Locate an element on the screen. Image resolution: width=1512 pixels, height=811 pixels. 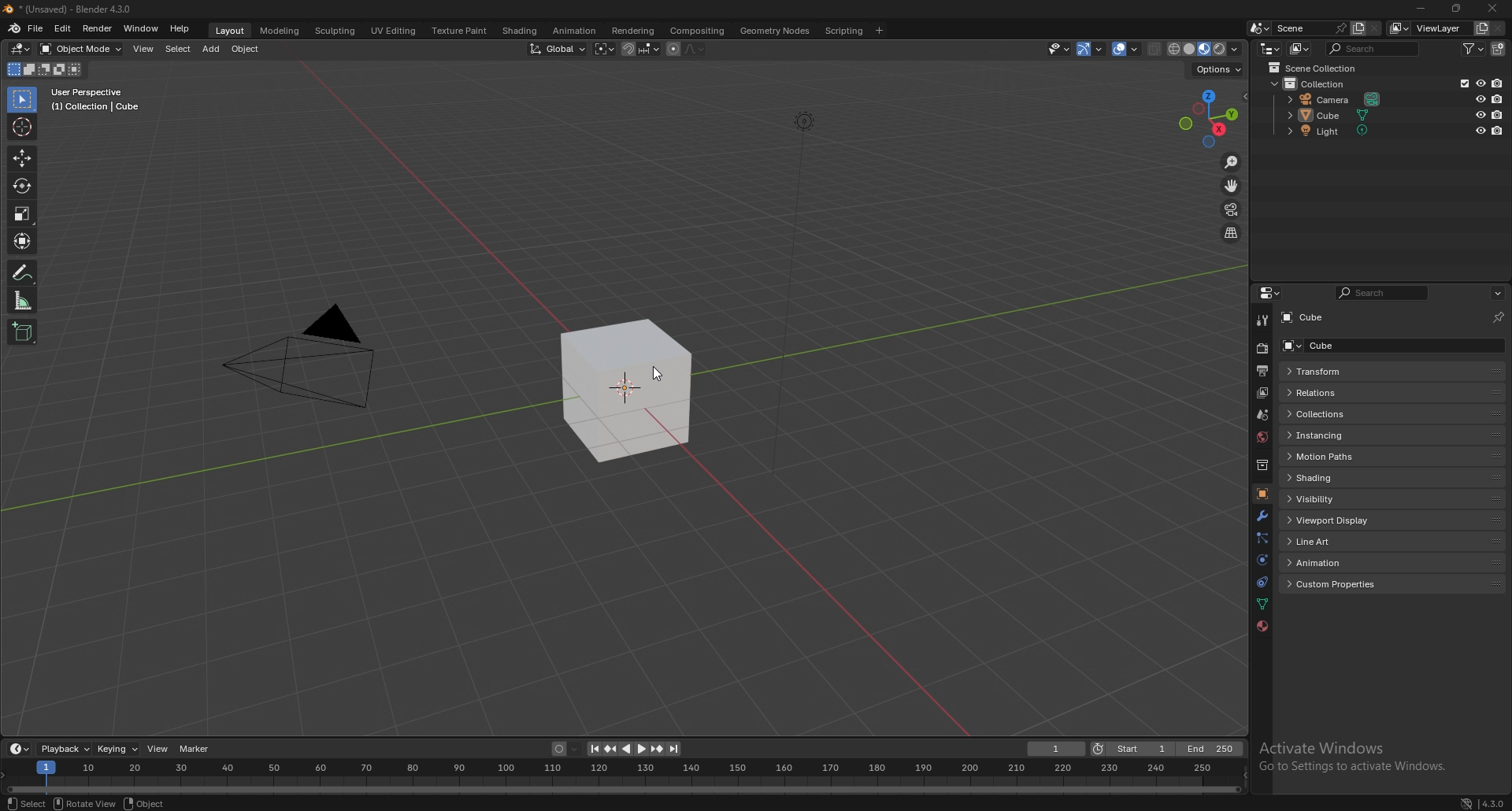
animation is located at coordinates (578, 29).